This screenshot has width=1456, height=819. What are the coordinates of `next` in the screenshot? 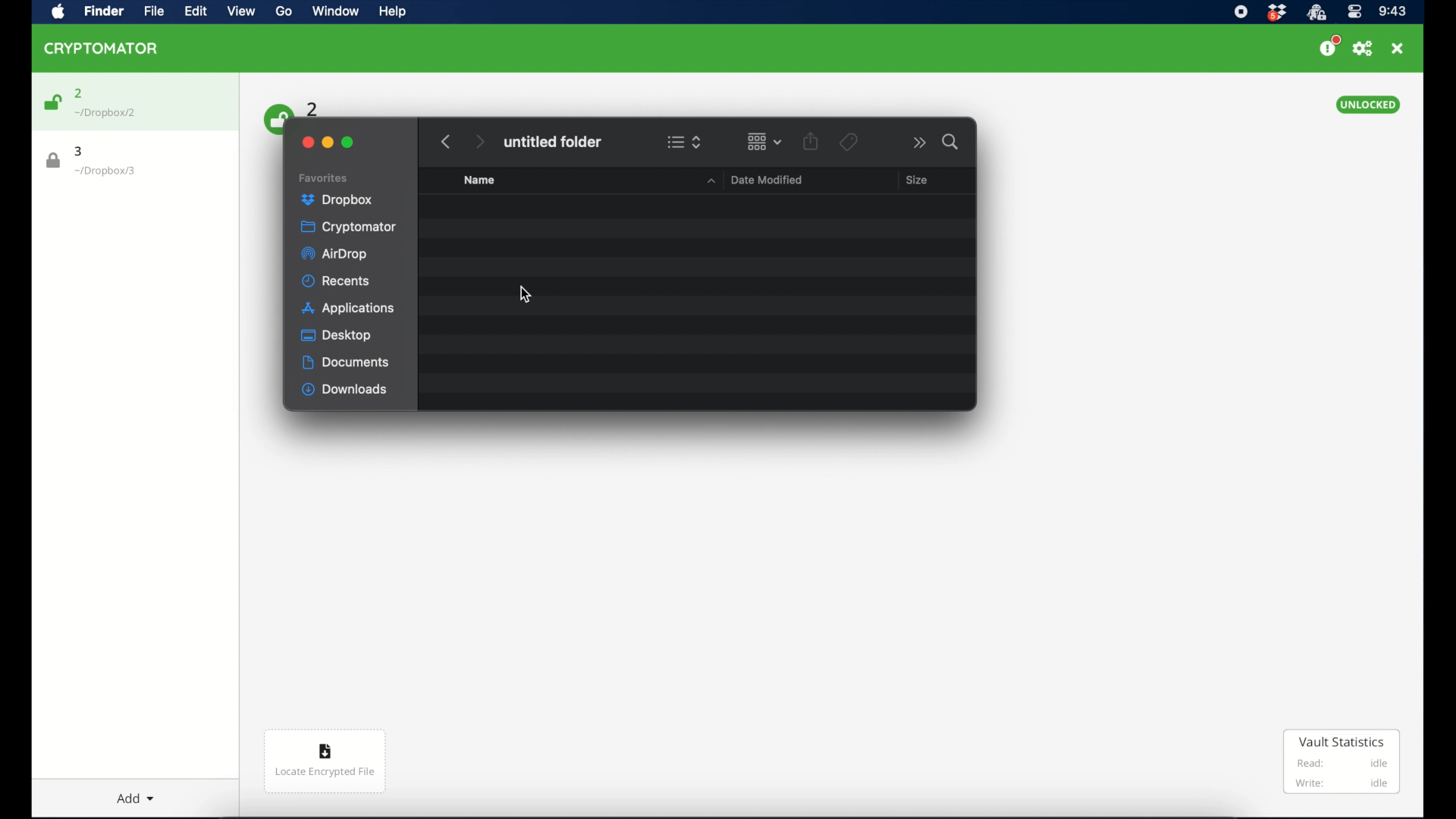 It's located at (479, 142).